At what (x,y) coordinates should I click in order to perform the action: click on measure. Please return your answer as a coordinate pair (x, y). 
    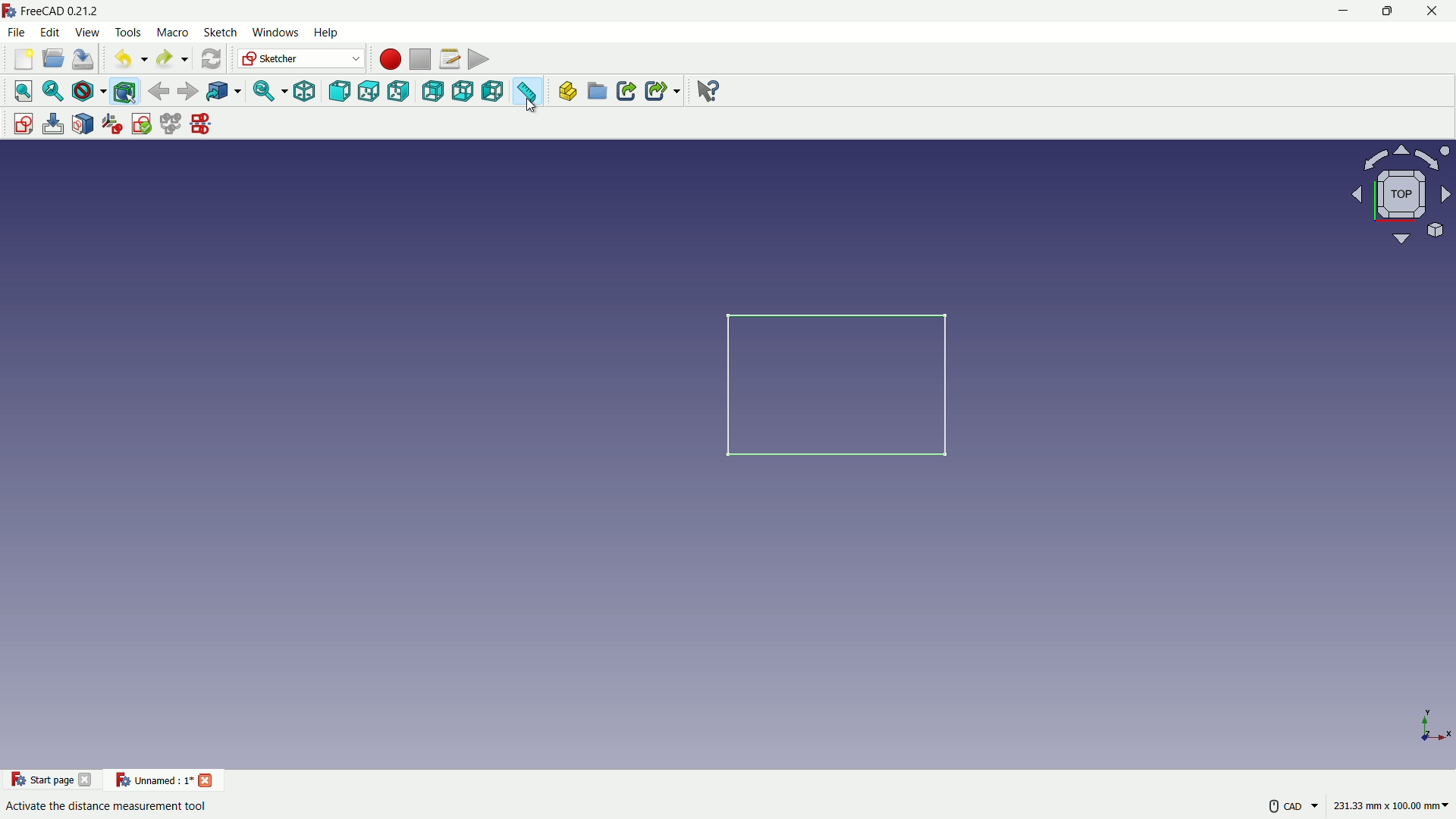
    Looking at the image, I should click on (527, 88).